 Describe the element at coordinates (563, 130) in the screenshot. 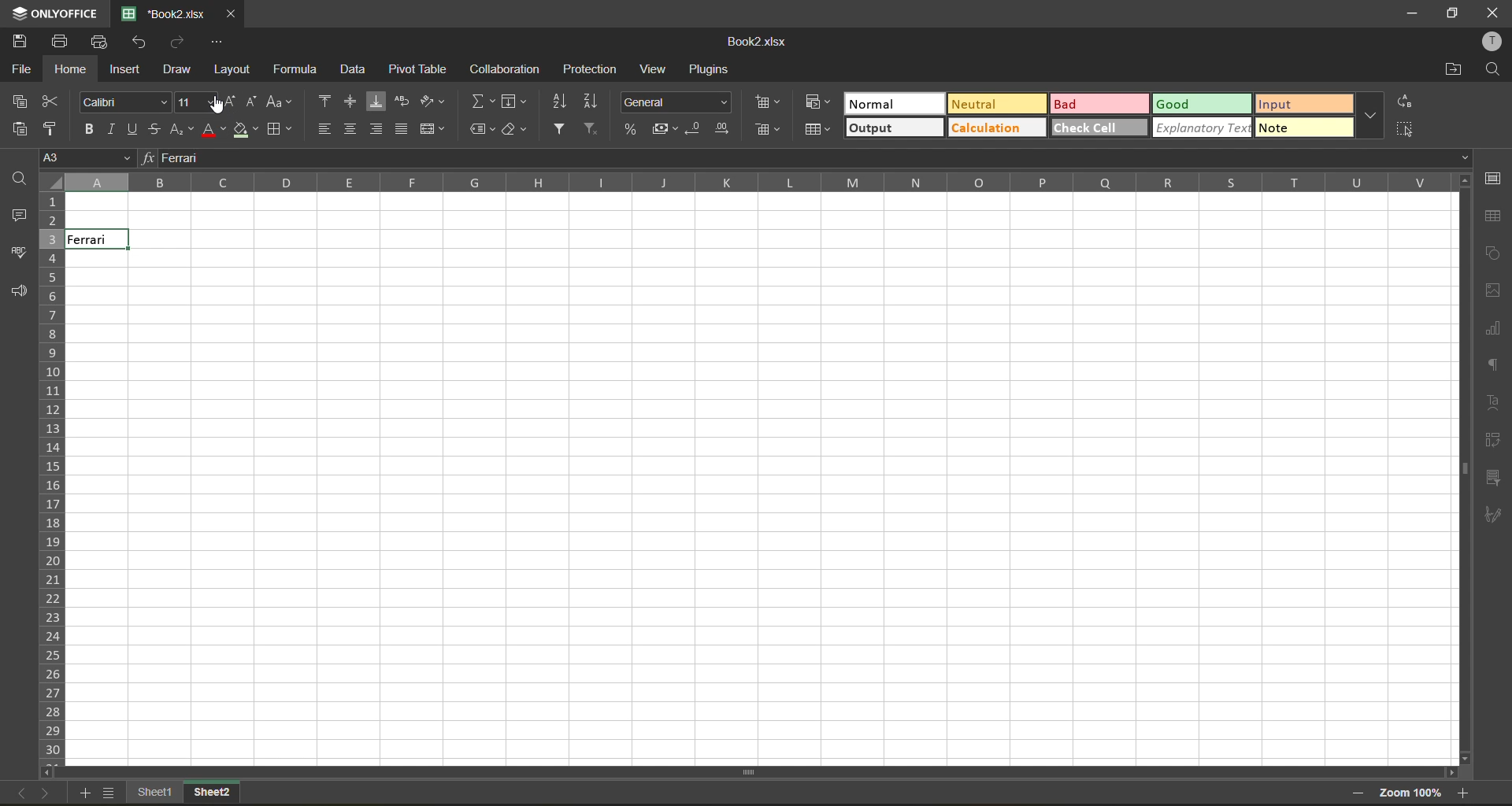

I see `filter` at that location.